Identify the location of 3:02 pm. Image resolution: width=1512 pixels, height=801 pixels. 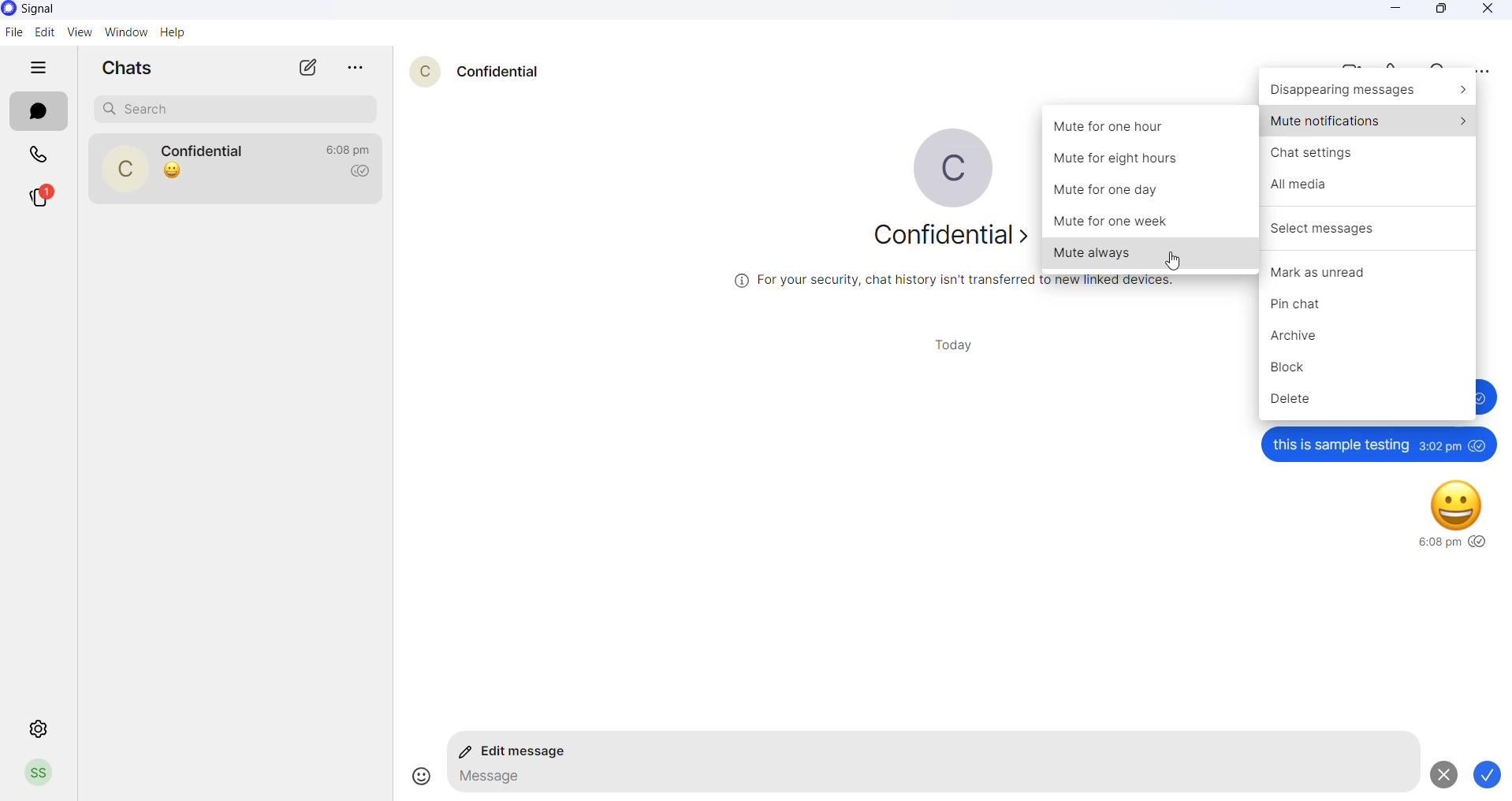
(1439, 445).